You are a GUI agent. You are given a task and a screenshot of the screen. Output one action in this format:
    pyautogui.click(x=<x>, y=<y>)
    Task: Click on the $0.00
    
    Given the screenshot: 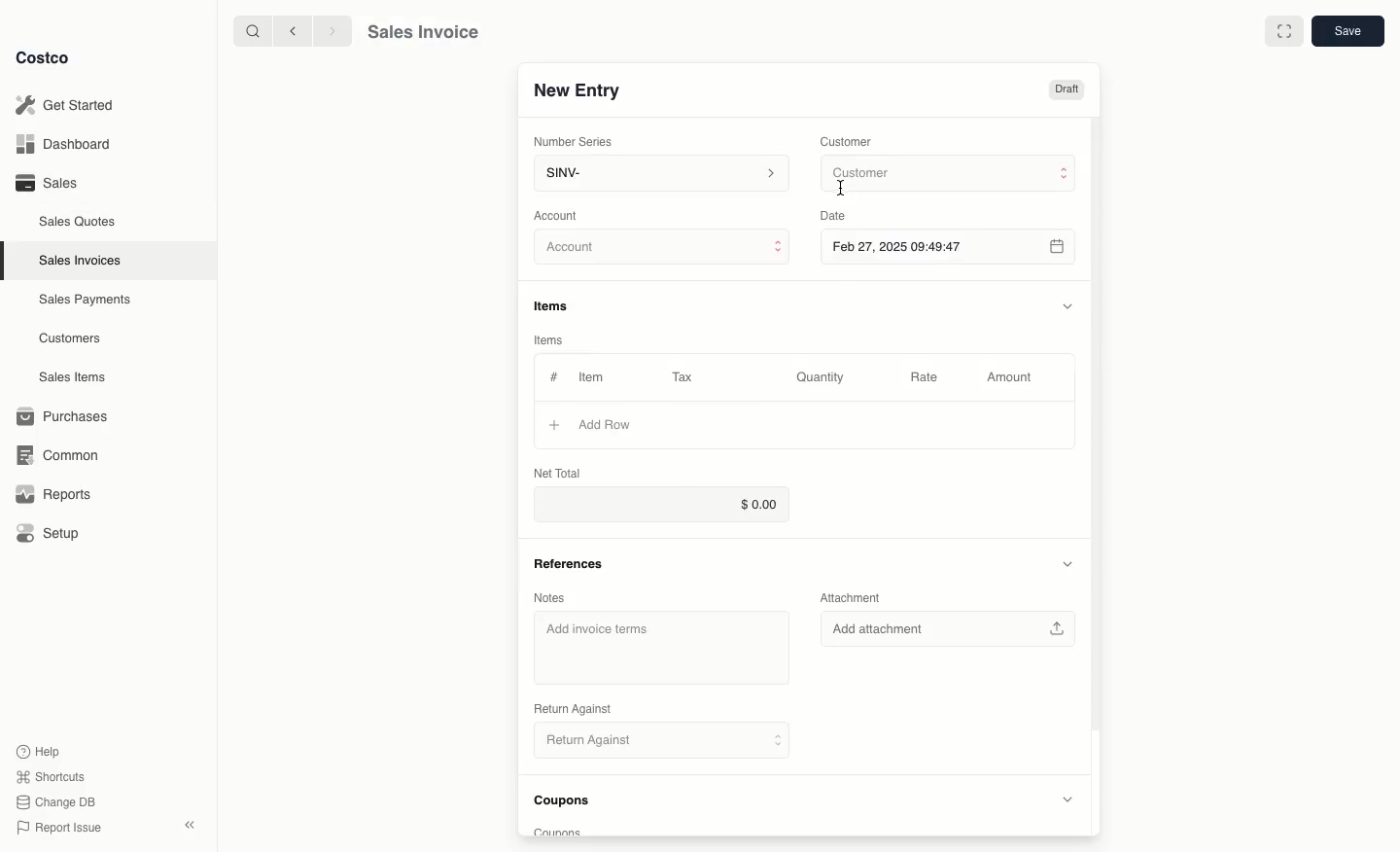 What is the action you would take?
    pyautogui.click(x=657, y=505)
    